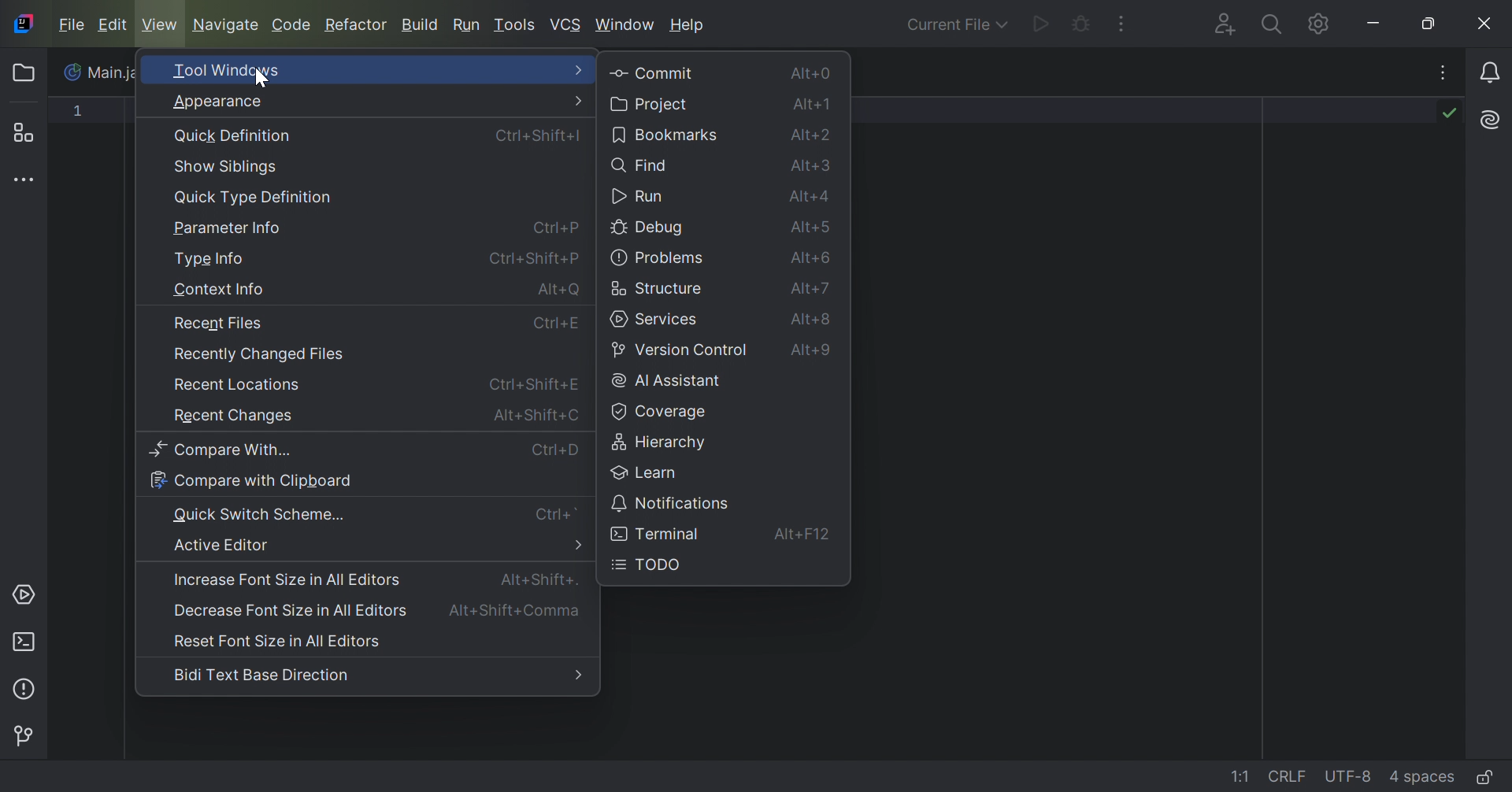 The height and width of the screenshot is (792, 1512). Describe the element at coordinates (657, 289) in the screenshot. I see `Structure` at that location.